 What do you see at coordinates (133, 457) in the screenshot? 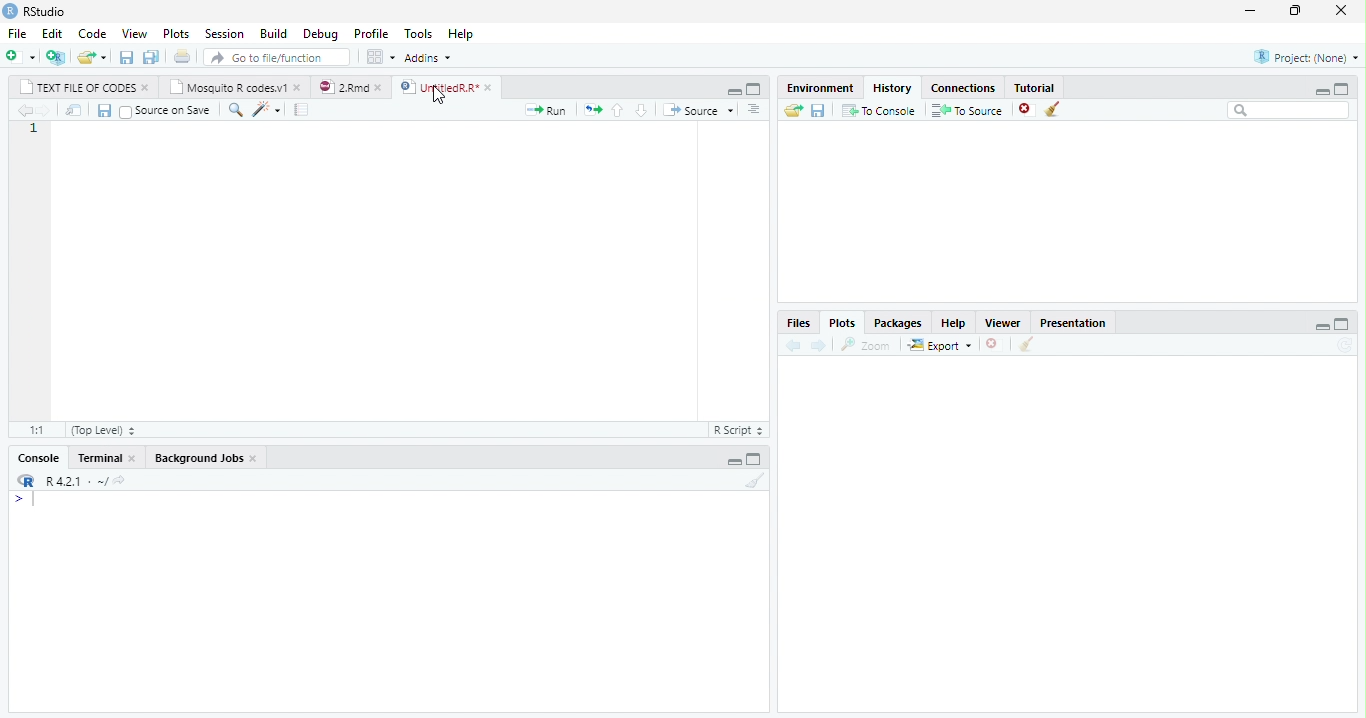
I see `close` at bounding box center [133, 457].